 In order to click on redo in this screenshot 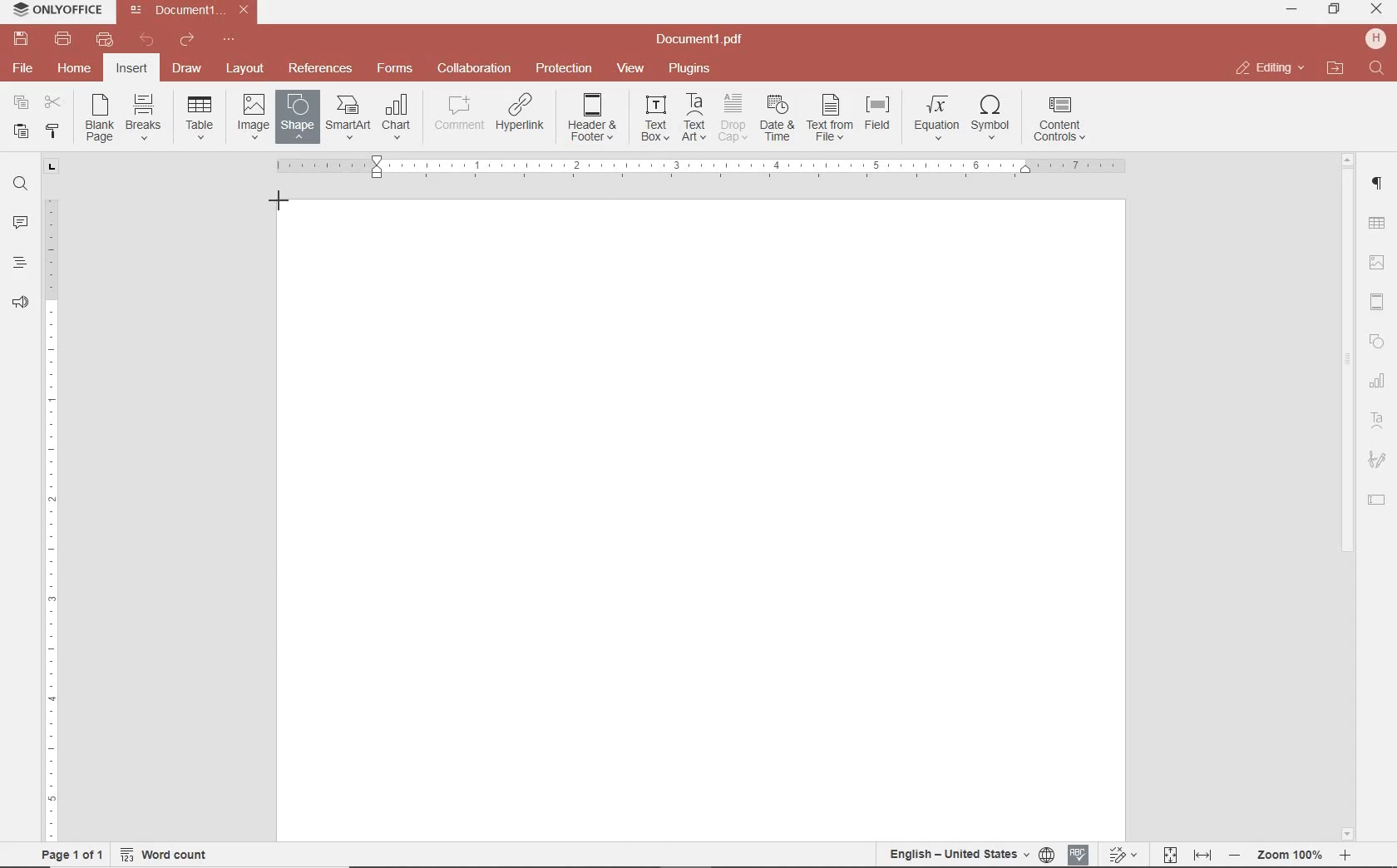, I will do `click(185, 42)`.